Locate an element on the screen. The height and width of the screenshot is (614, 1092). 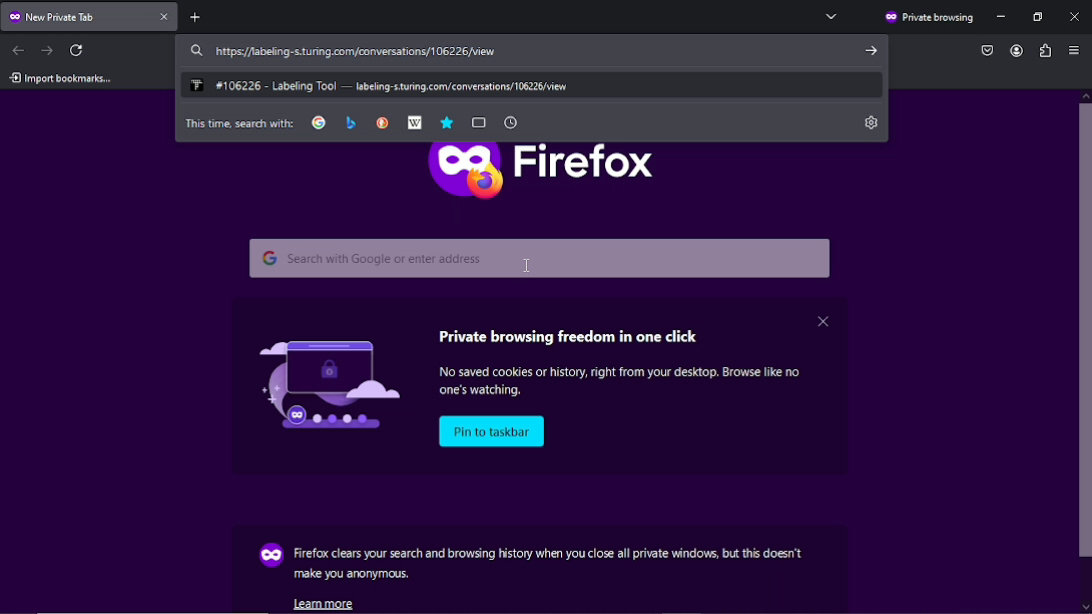
Learn more is located at coordinates (329, 603).